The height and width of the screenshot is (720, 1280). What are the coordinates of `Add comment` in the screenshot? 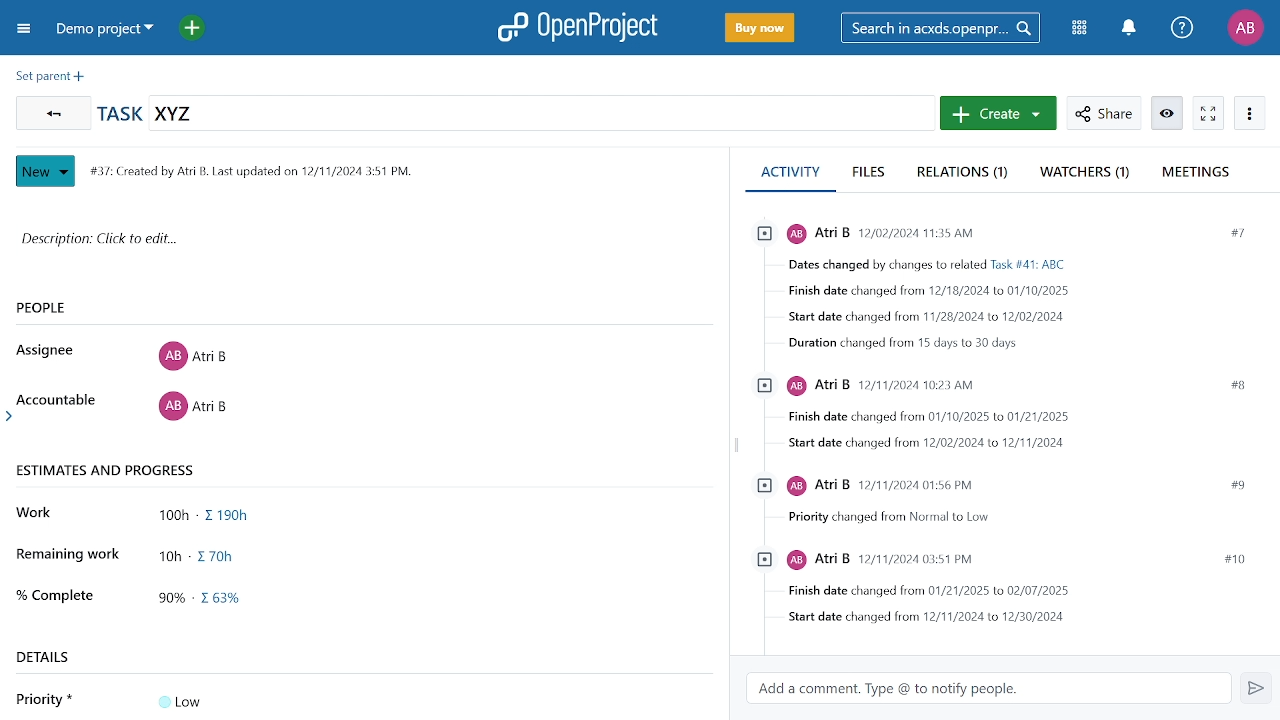 It's located at (991, 690).